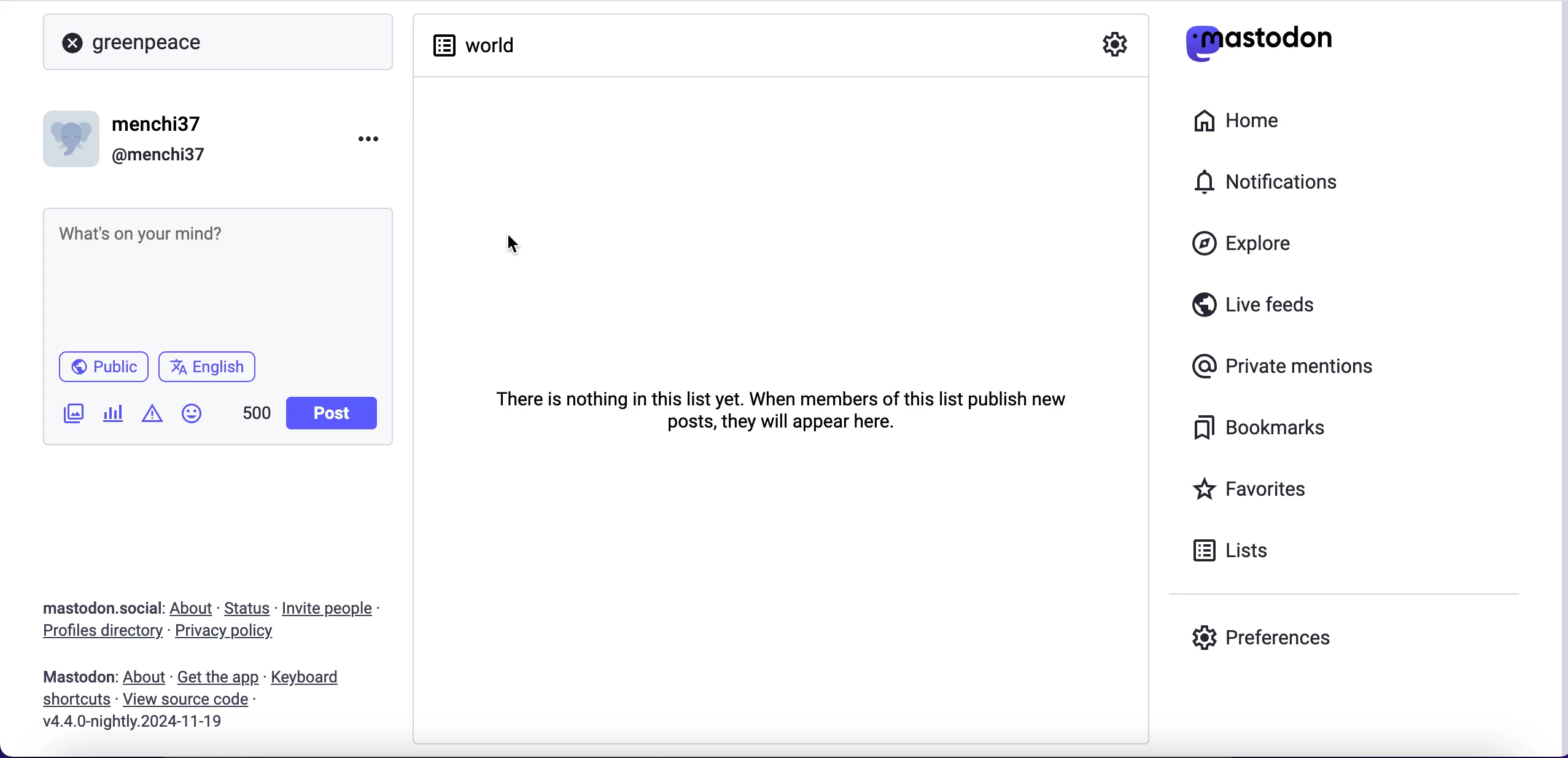  Describe the element at coordinates (72, 413) in the screenshot. I see `add an image` at that location.